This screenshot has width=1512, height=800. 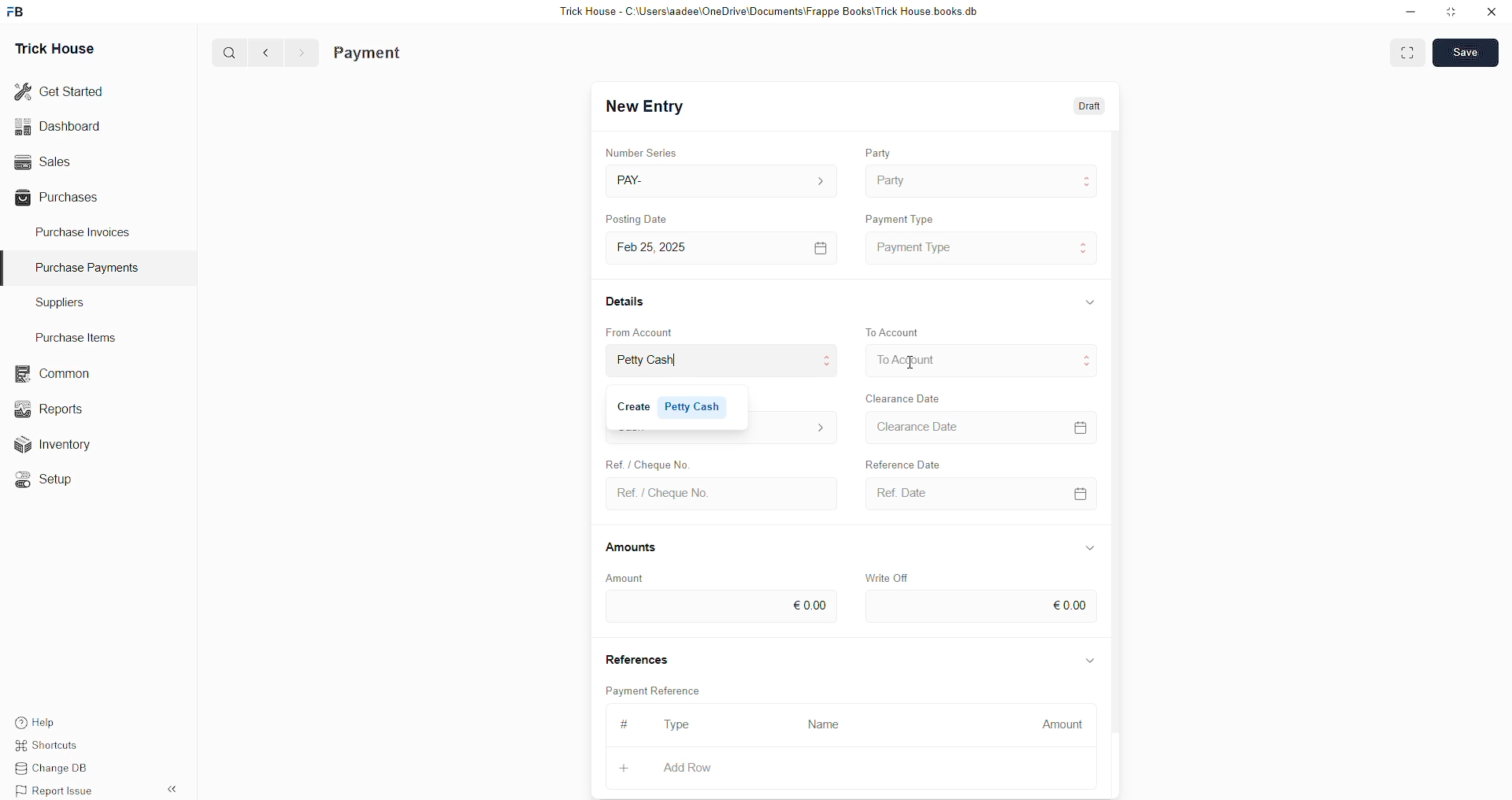 I want to click on Number Series, so click(x=645, y=150).